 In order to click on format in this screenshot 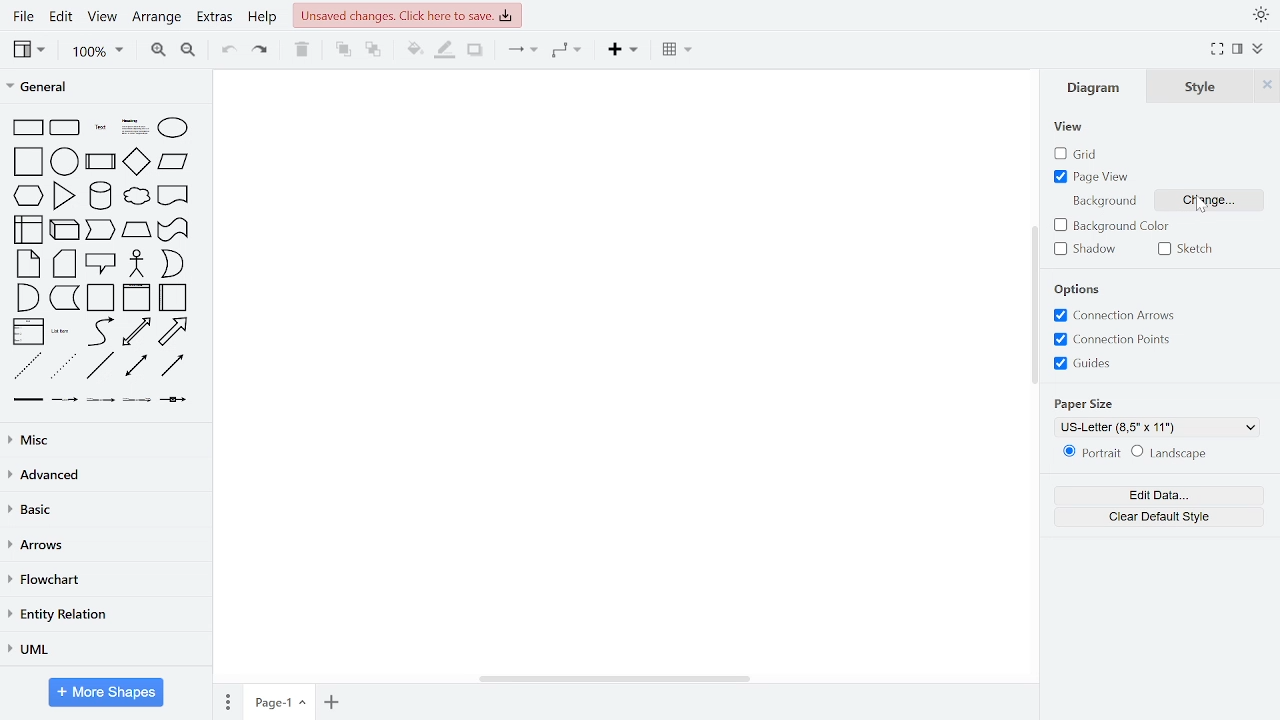, I will do `click(1237, 50)`.